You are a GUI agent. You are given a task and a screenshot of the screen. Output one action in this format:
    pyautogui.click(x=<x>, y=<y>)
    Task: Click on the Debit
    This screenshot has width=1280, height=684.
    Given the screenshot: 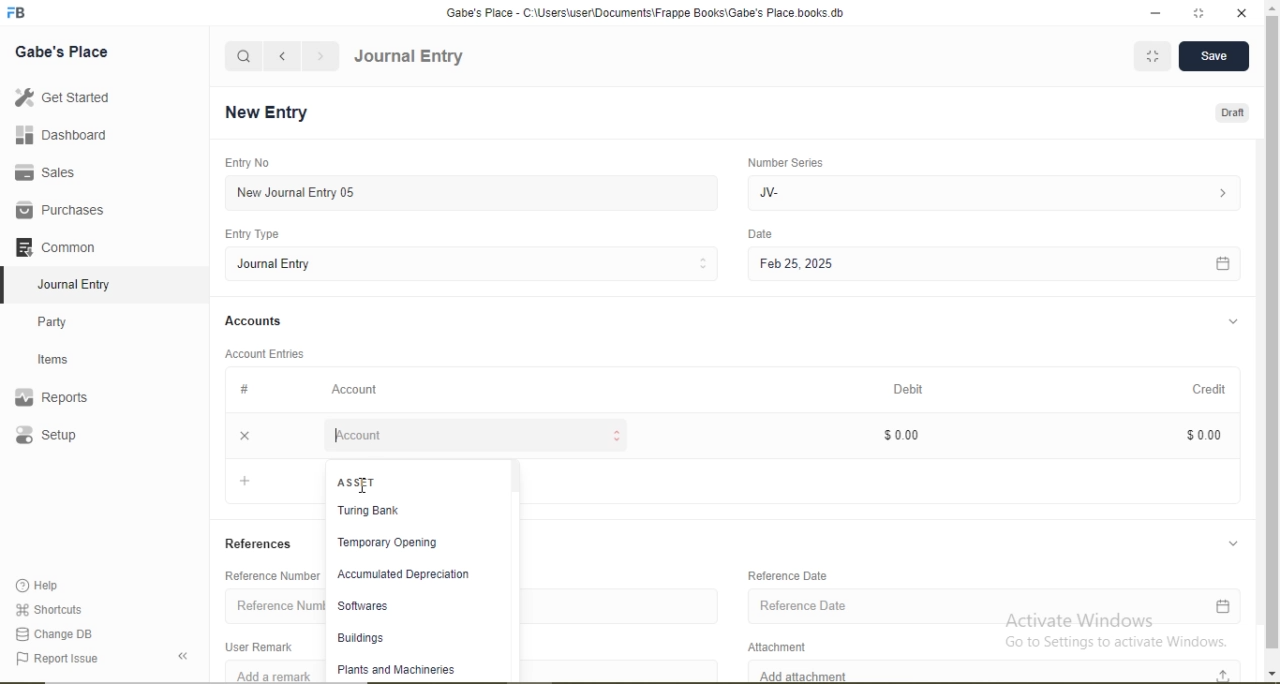 What is the action you would take?
    pyautogui.click(x=922, y=390)
    